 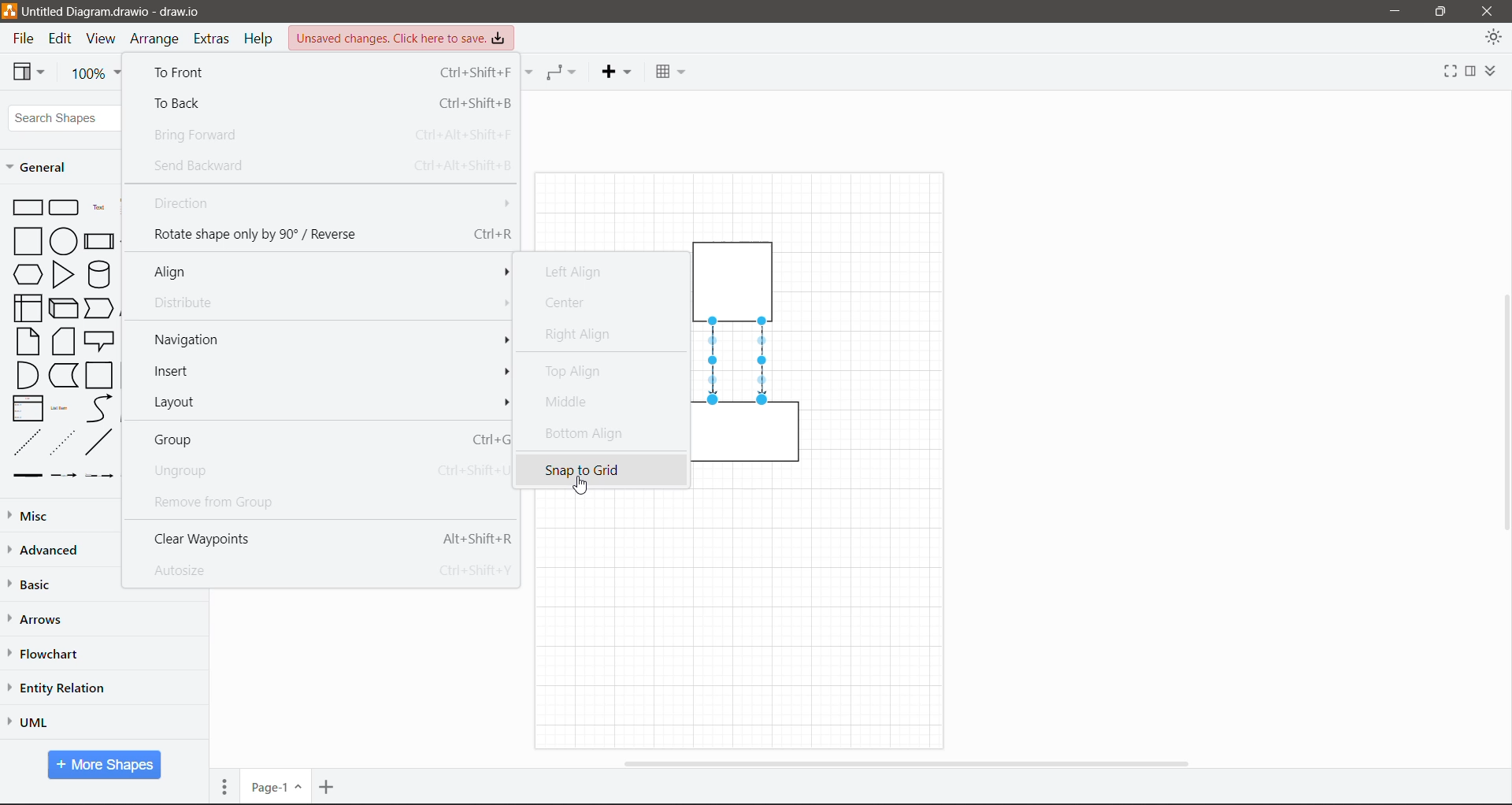 I want to click on Vertical Scroll Bar, so click(x=1502, y=412).